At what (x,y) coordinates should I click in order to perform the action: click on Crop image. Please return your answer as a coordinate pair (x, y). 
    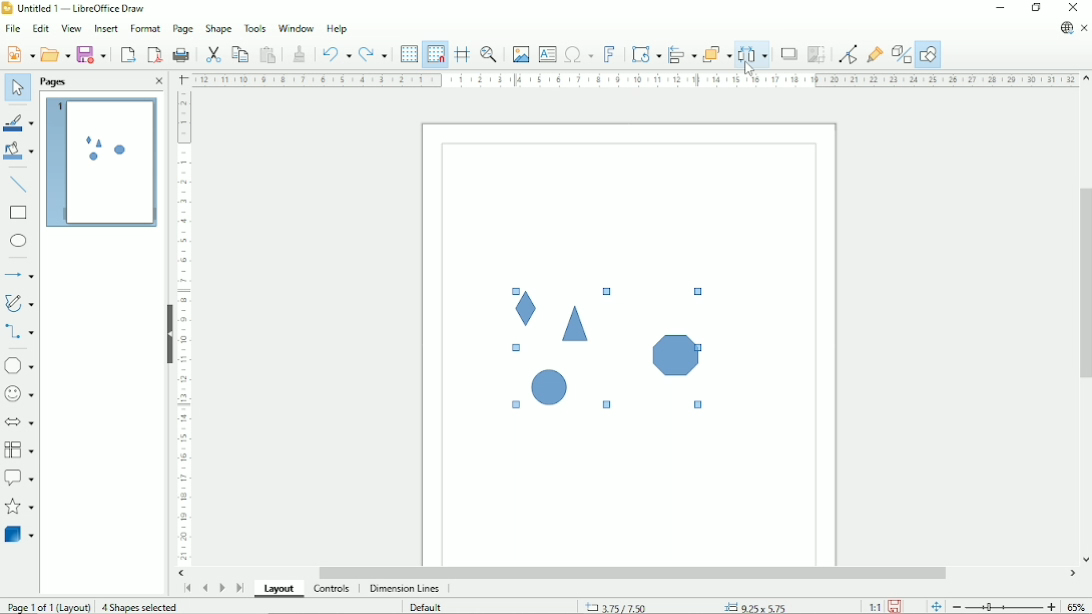
    Looking at the image, I should click on (815, 55).